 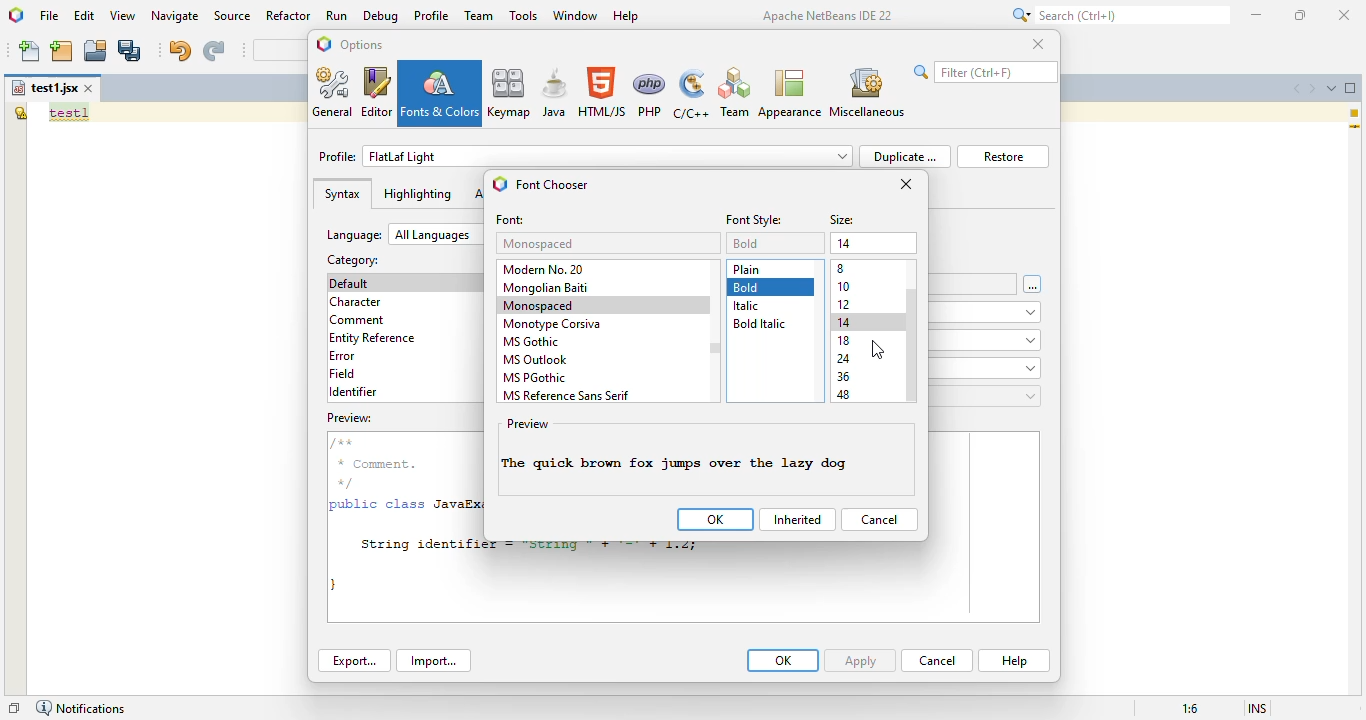 What do you see at coordinates (1332, 88) in the screenshot?
I see `show opened documents list` at bounding box center [1332, 88].